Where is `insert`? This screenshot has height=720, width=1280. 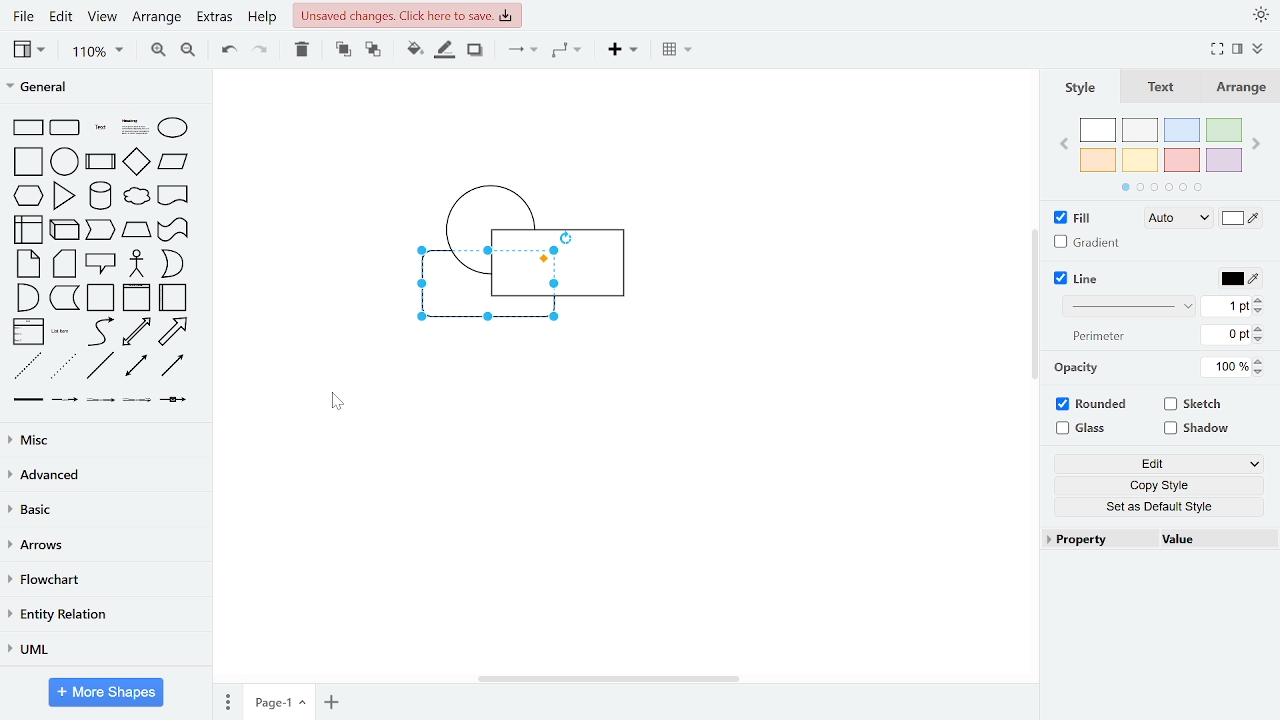 insert is located at coordinates (621, 51).